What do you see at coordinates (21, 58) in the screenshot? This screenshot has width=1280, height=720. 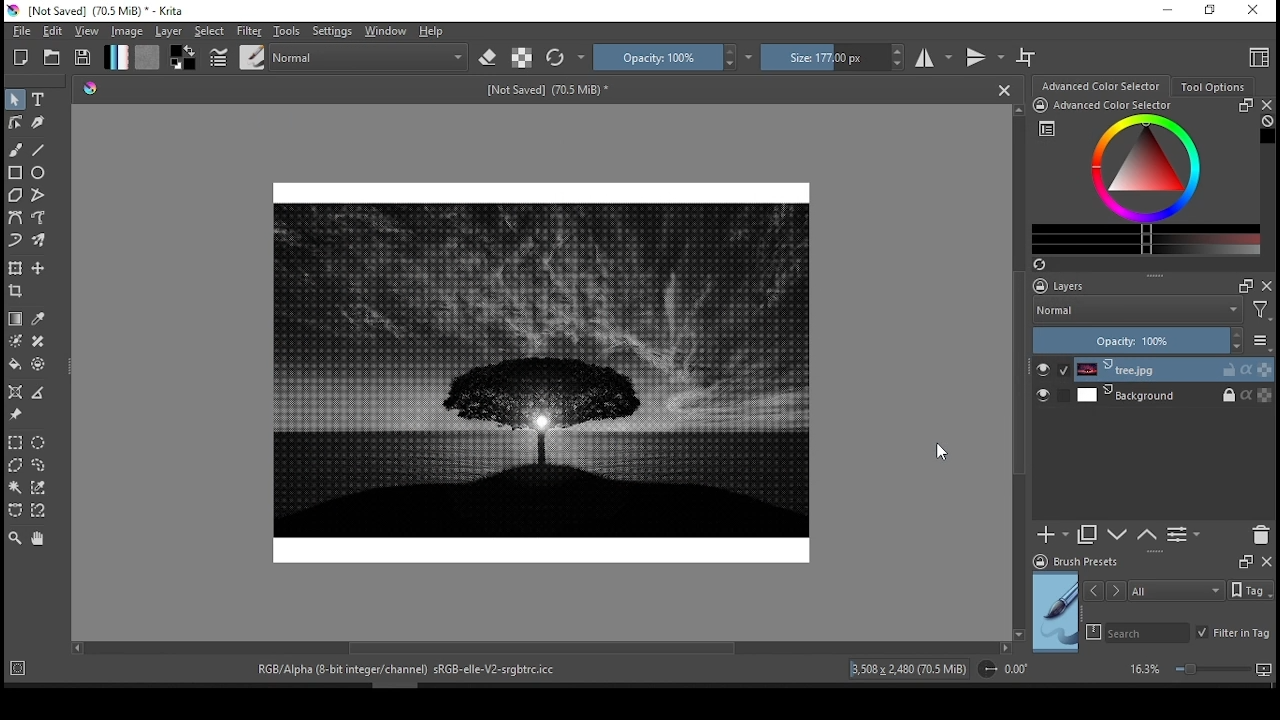 I see `new` at bounding box center [21, 58].